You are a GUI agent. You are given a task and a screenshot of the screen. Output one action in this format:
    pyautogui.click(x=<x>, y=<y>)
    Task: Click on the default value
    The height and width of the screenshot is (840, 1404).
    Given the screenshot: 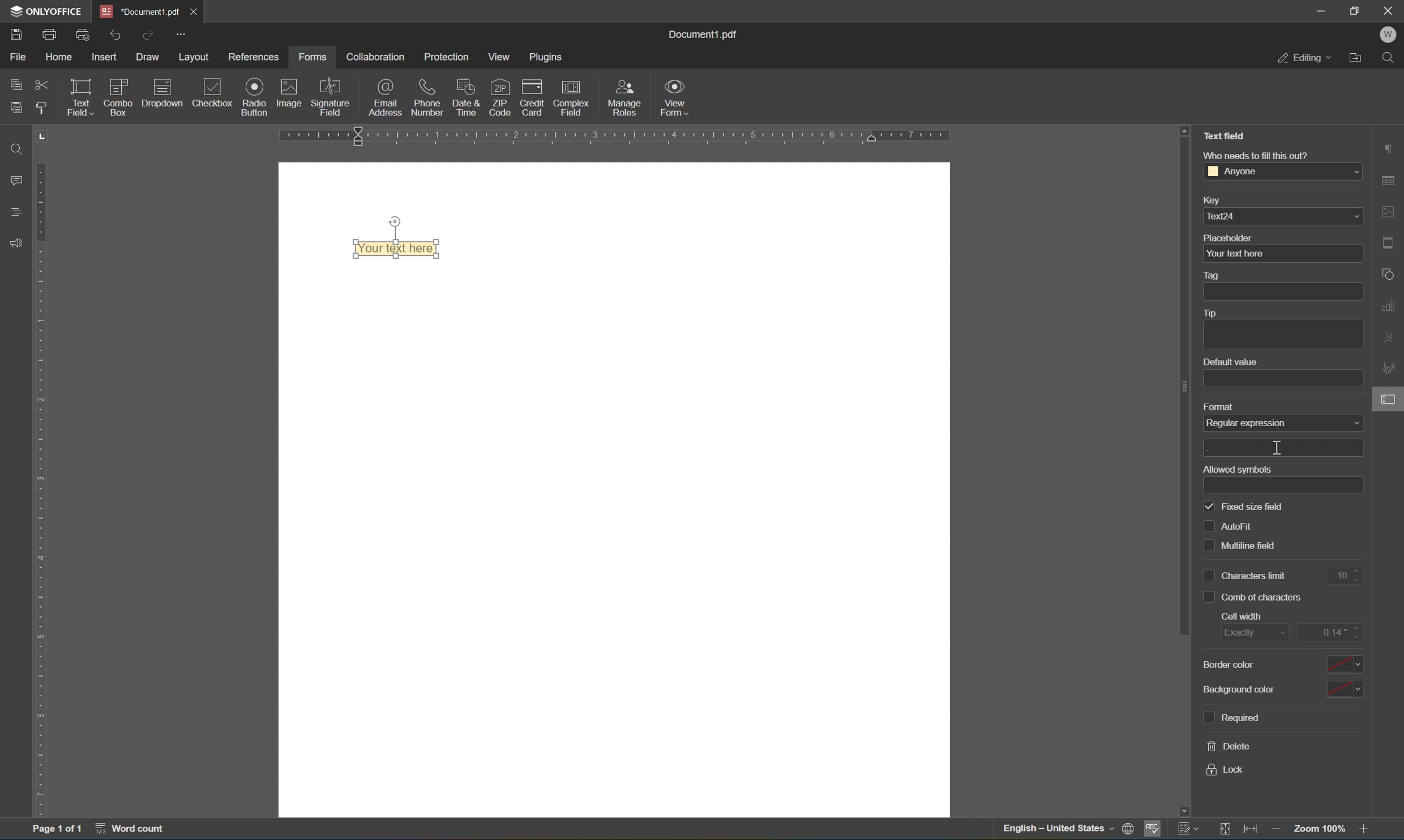 What is the action you would take?
    pyautogui.click(x=1230, y=362)
    